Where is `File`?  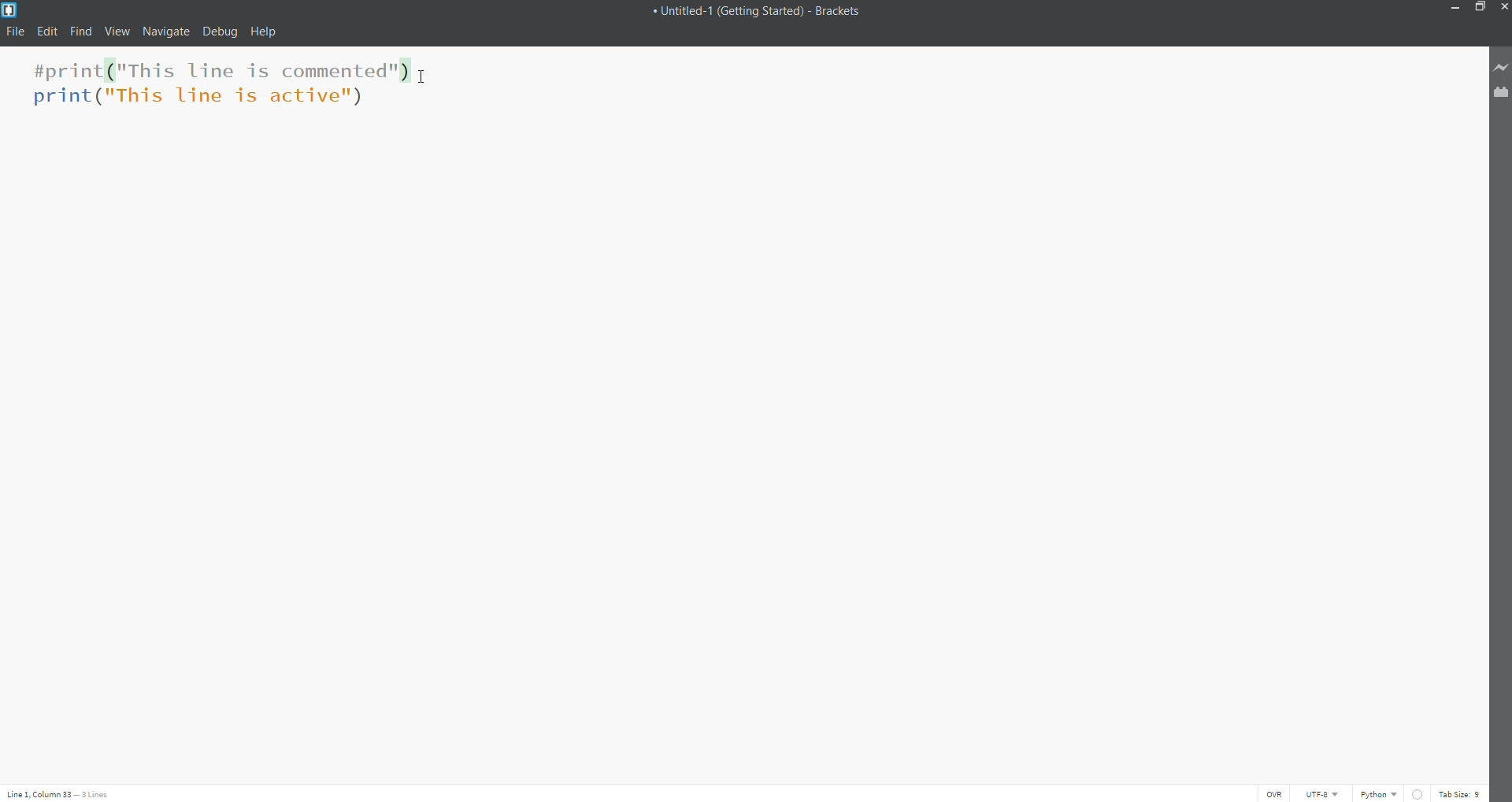
File is located at coordinates (13, 32).